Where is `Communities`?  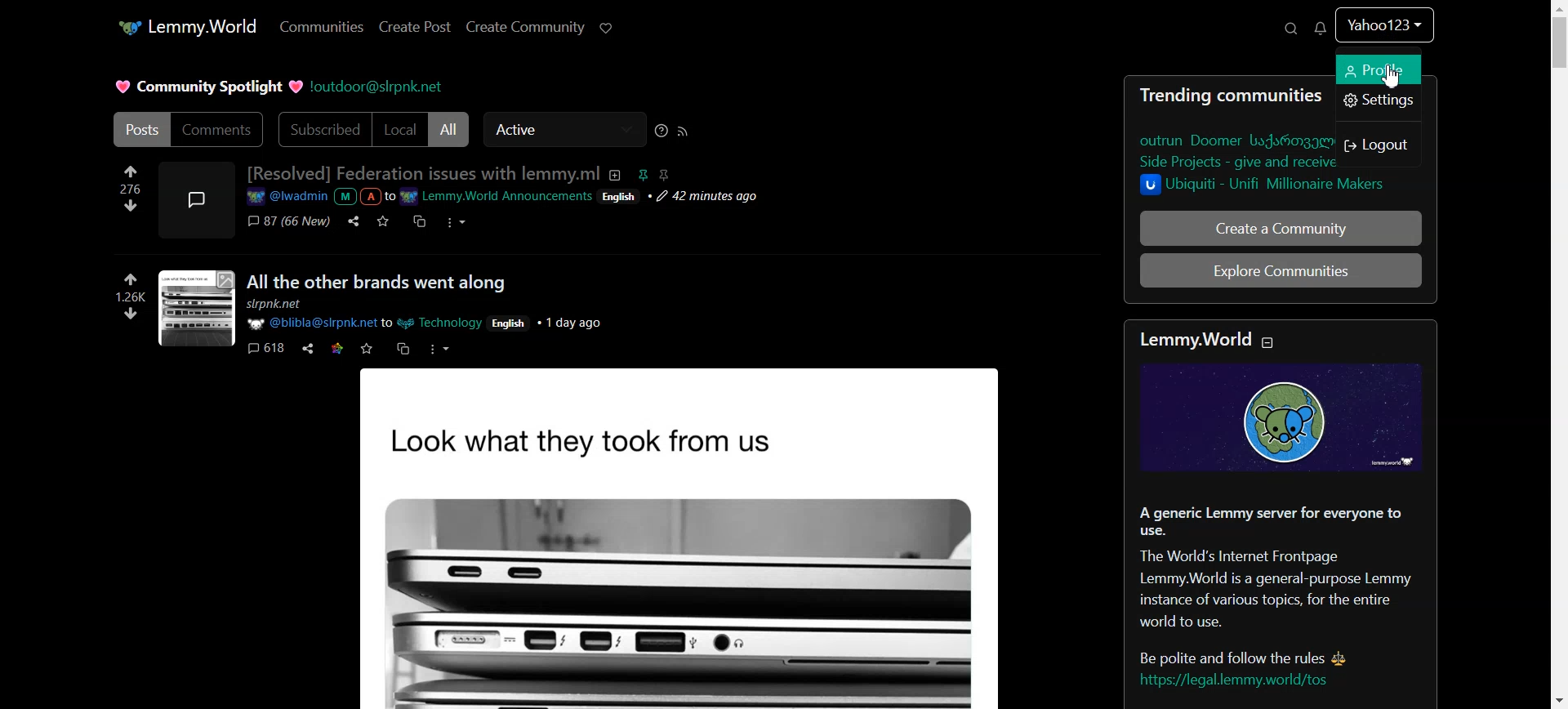
Communities is located at coordinates (319, 27).